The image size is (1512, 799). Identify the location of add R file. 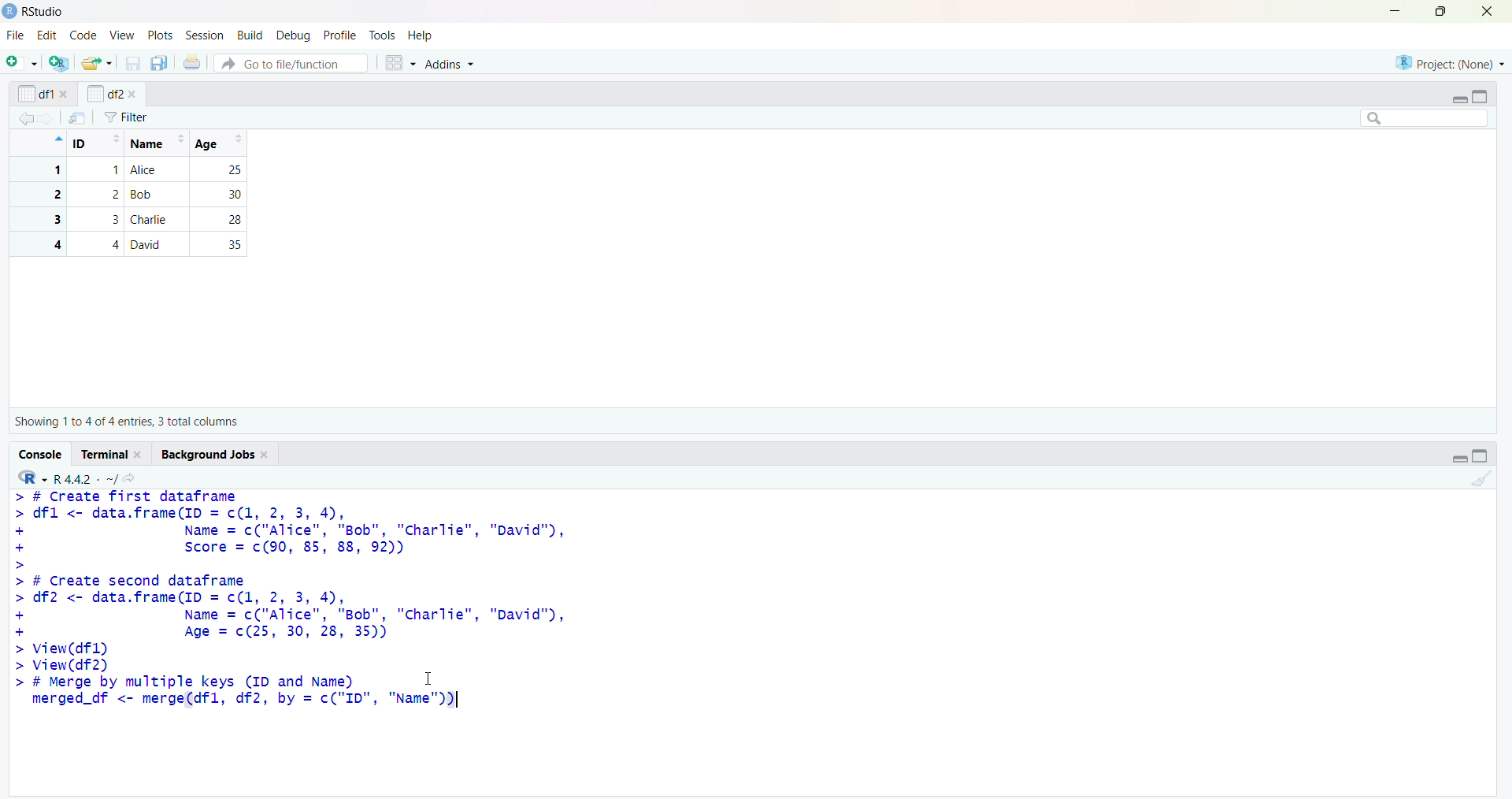
(60, 63).